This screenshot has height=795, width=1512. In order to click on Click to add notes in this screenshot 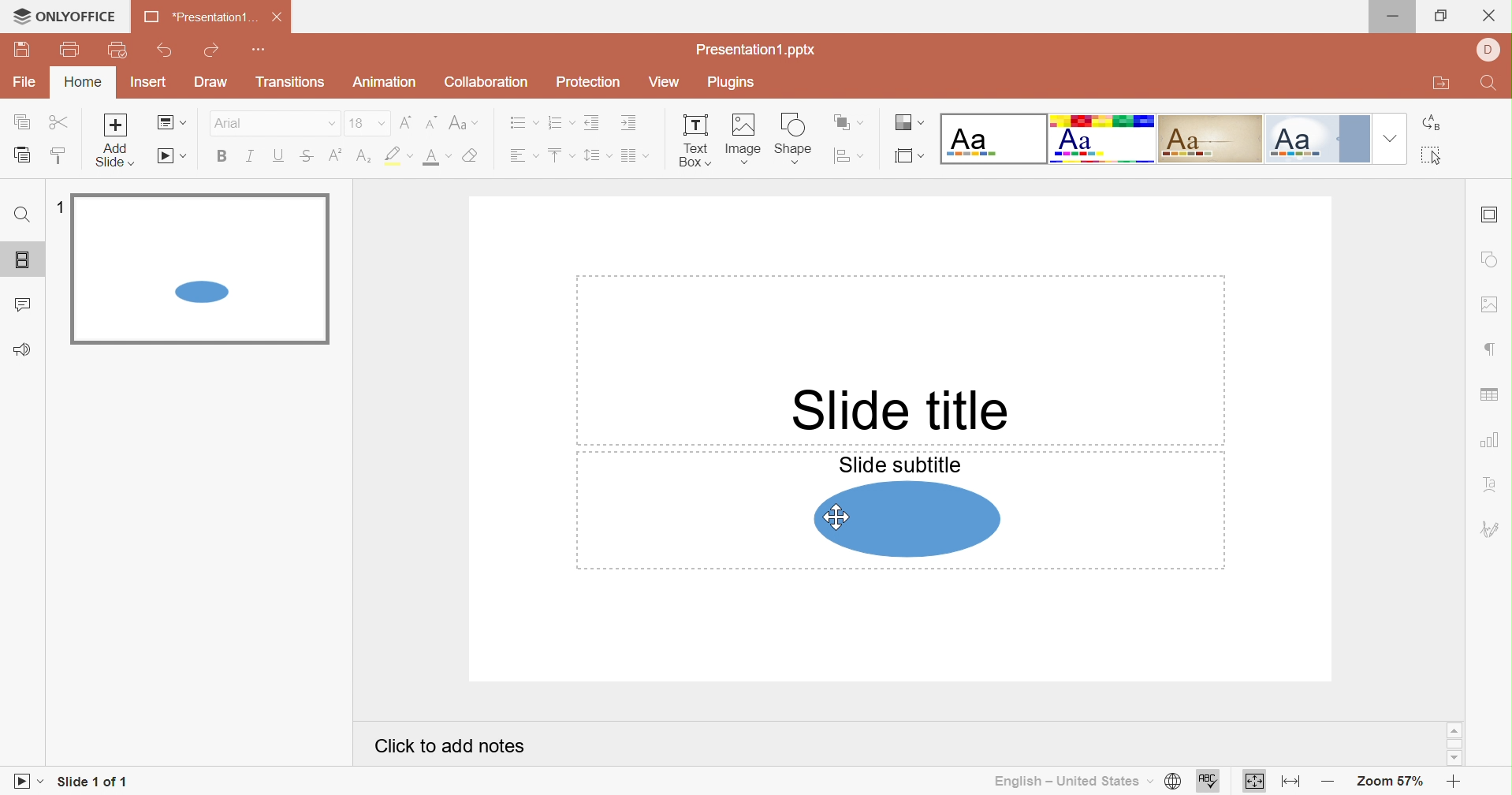, I will do `click(449, 745)`.